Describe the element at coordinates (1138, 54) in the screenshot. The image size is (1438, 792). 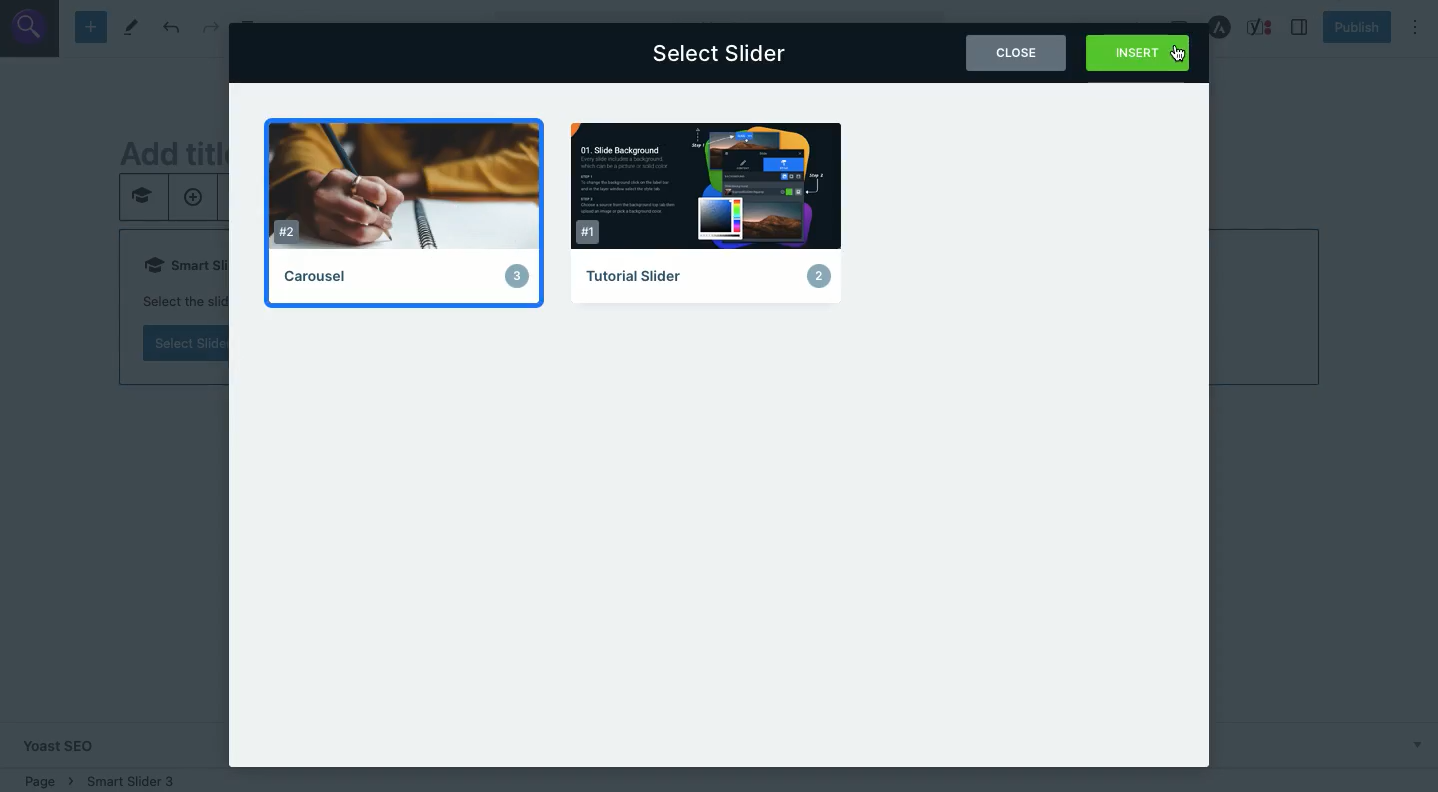
I see `Insert` at that location.